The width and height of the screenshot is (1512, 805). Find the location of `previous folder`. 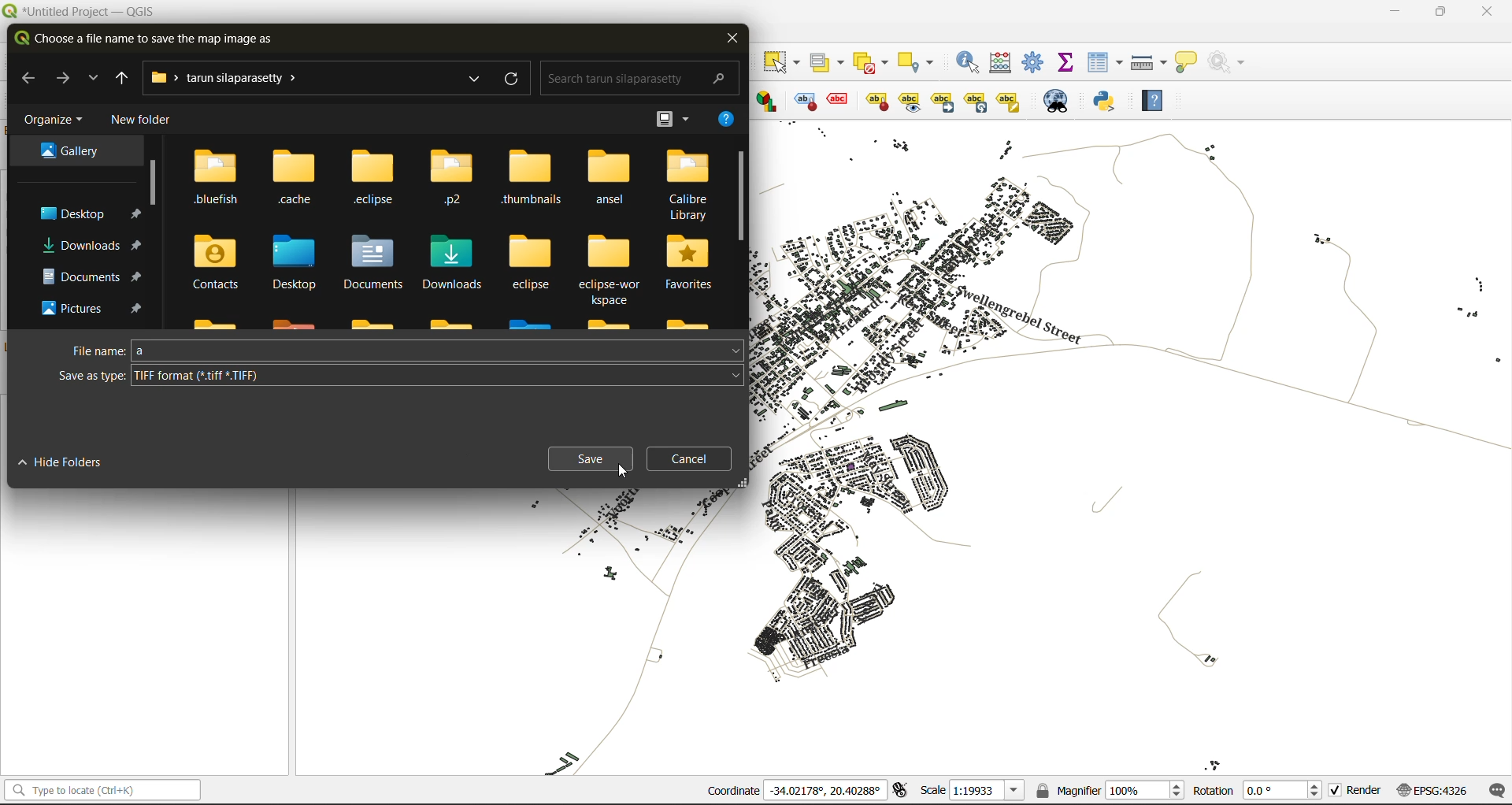

previous folder is located at coordinates (117, 78).